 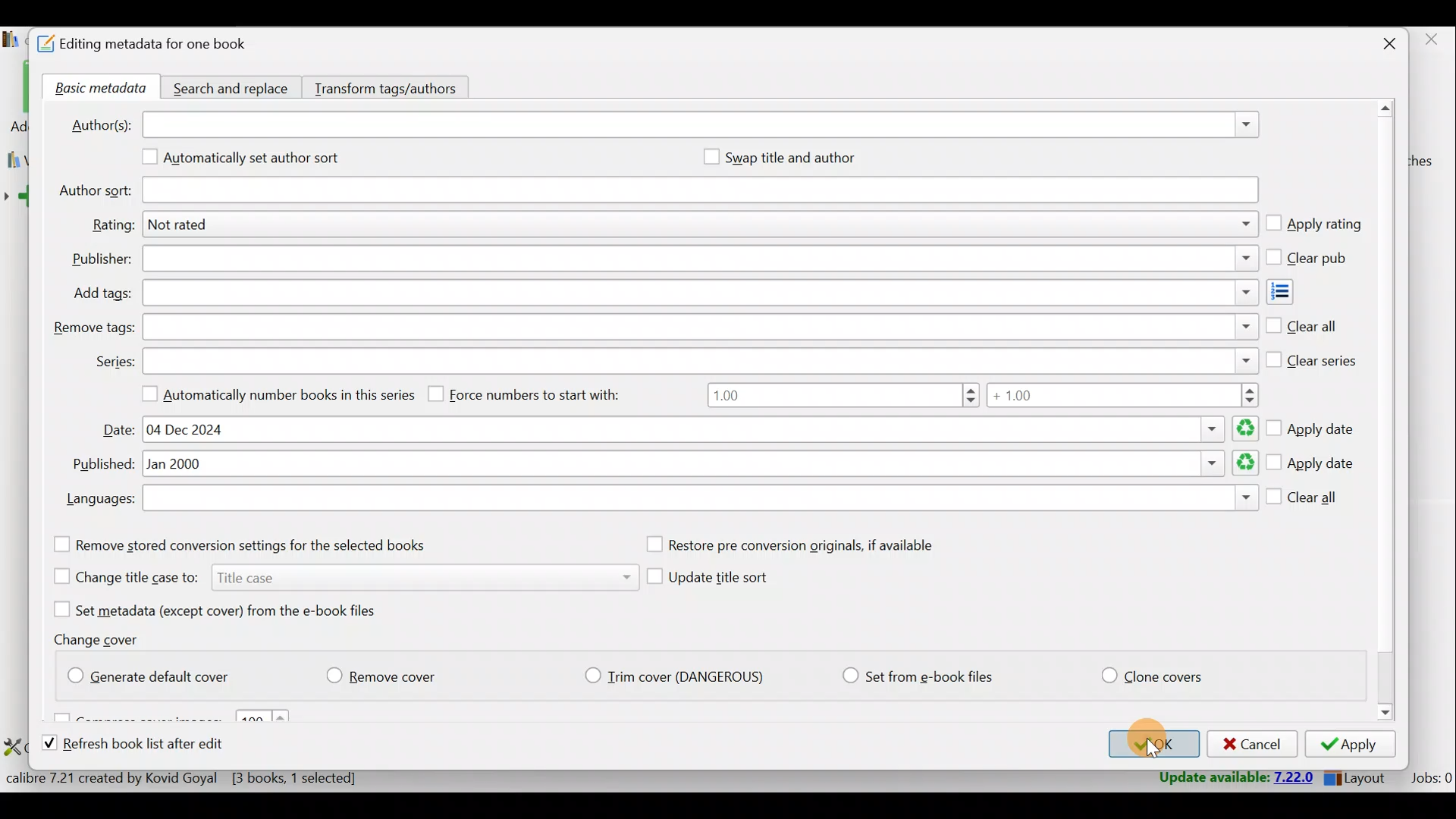 I want to click on Statistics, so click(x=210, y=777).